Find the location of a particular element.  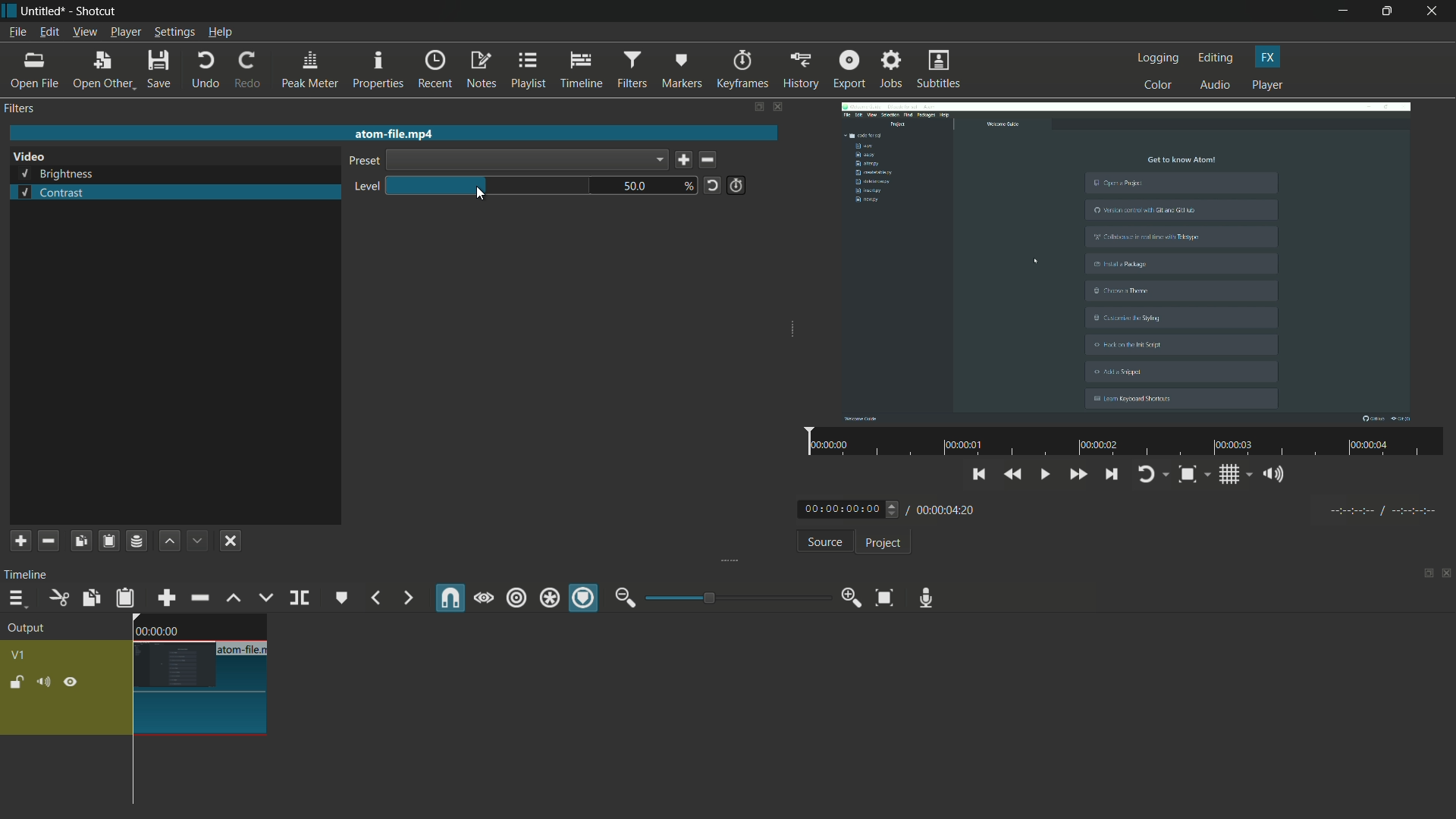

hide is located at coordinates (71, 682).